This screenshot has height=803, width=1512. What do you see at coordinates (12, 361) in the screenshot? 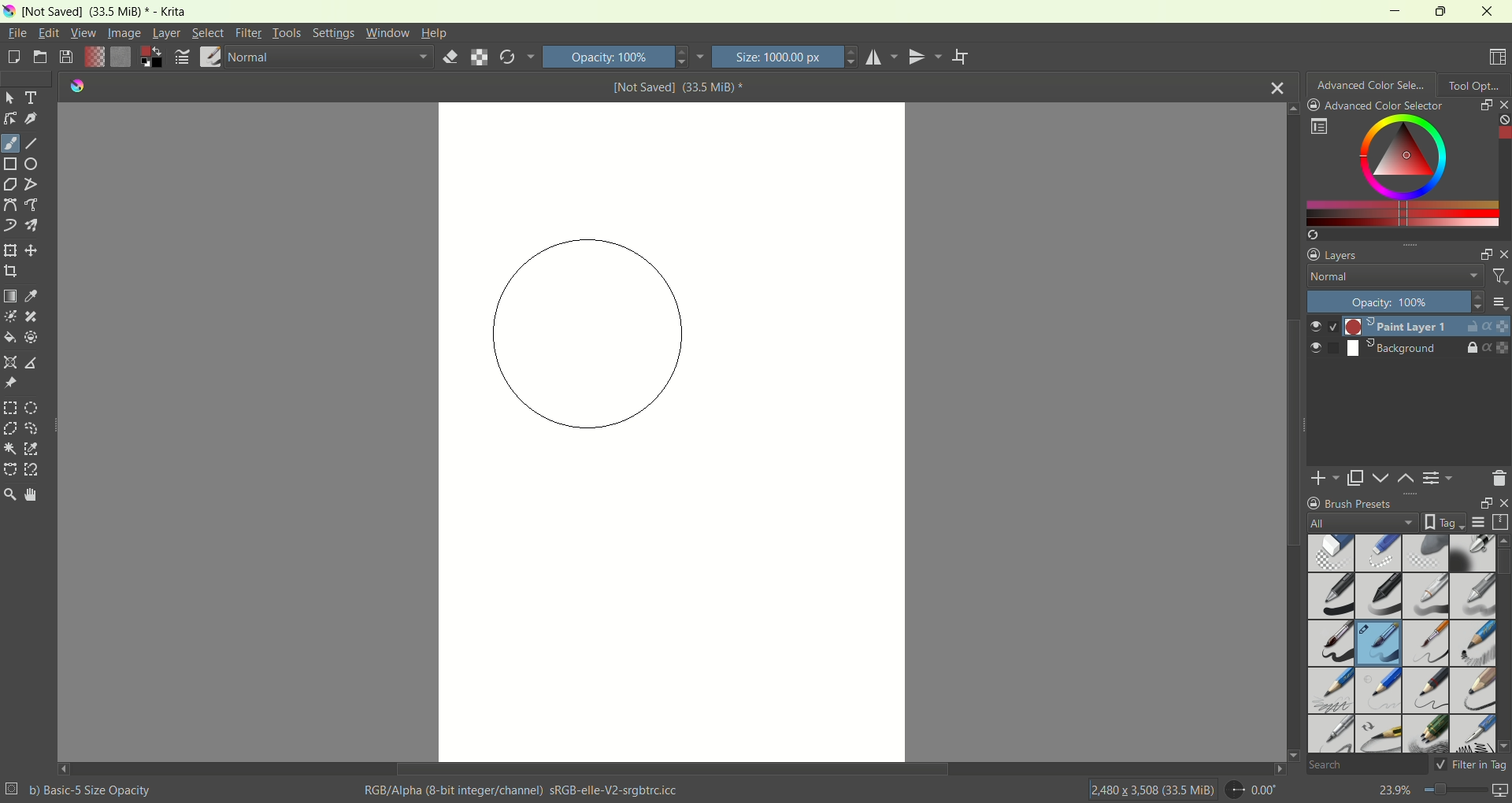
I see `assistant tool` at bounding box center [12, 361].